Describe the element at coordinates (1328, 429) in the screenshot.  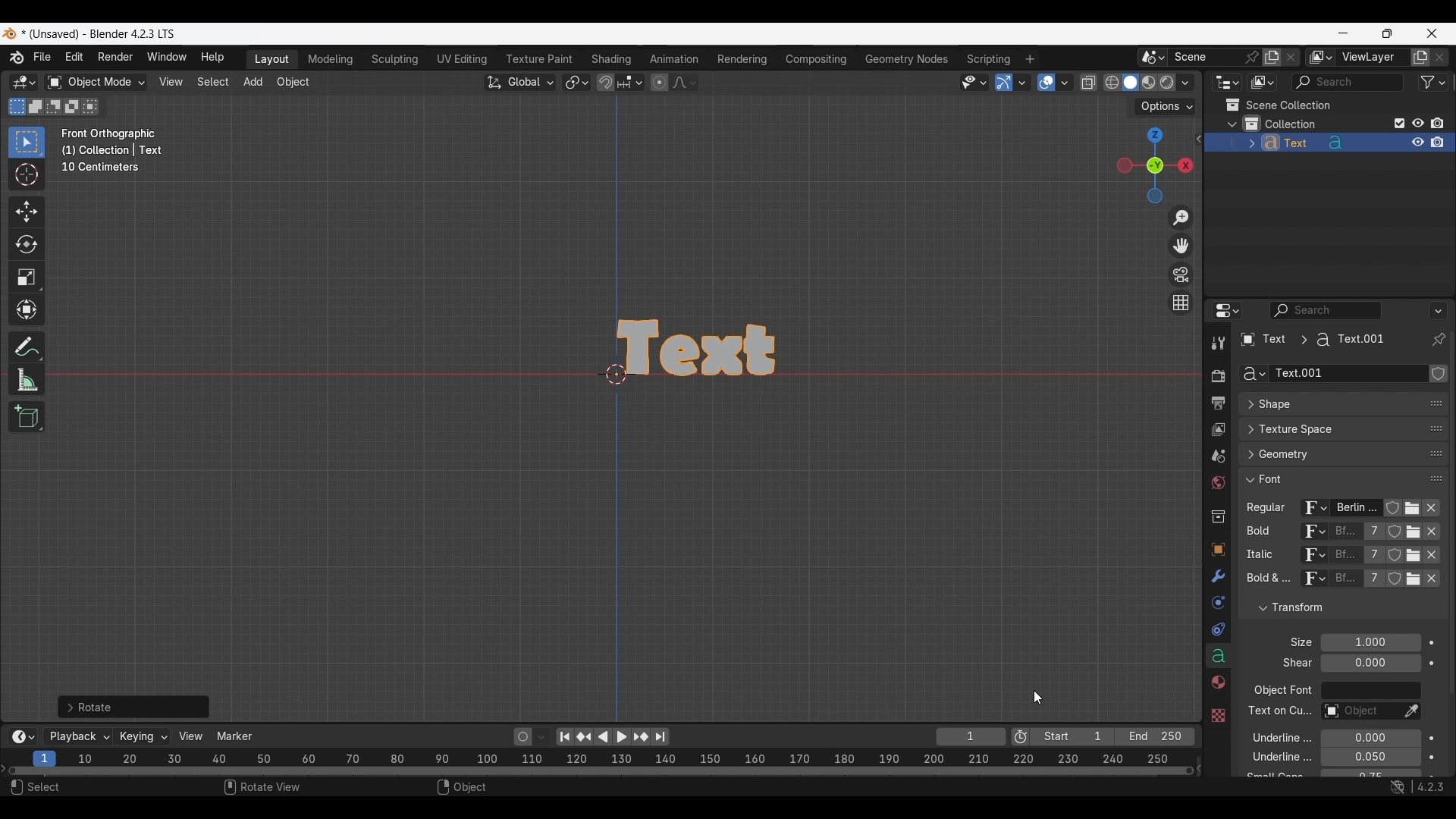
I see `Click to expand Texture Space` at that location.